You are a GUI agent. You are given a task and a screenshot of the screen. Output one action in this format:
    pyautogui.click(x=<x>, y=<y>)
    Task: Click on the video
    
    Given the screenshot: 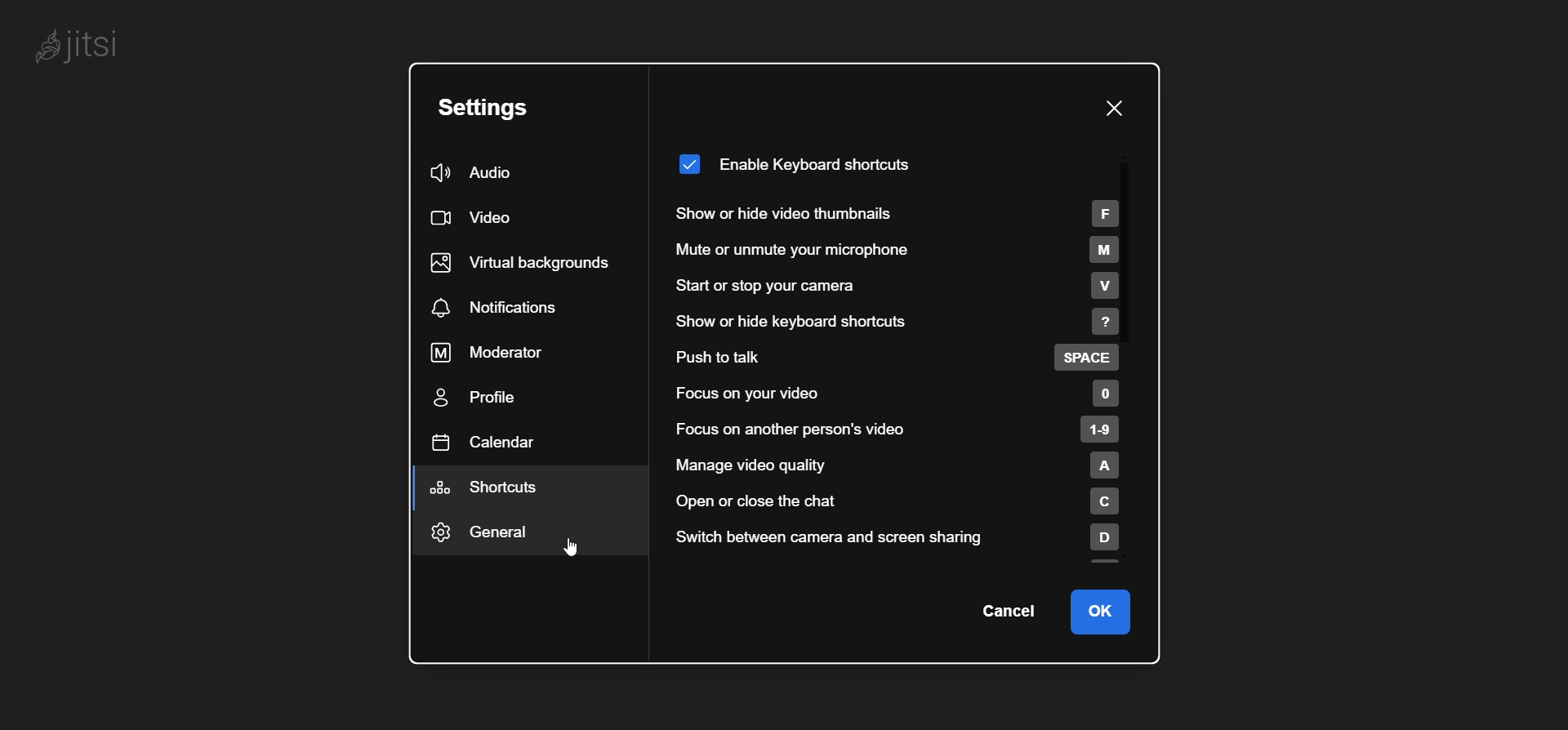 What is the action you would take?
    pyautogui.click(x=470, y=220)
    